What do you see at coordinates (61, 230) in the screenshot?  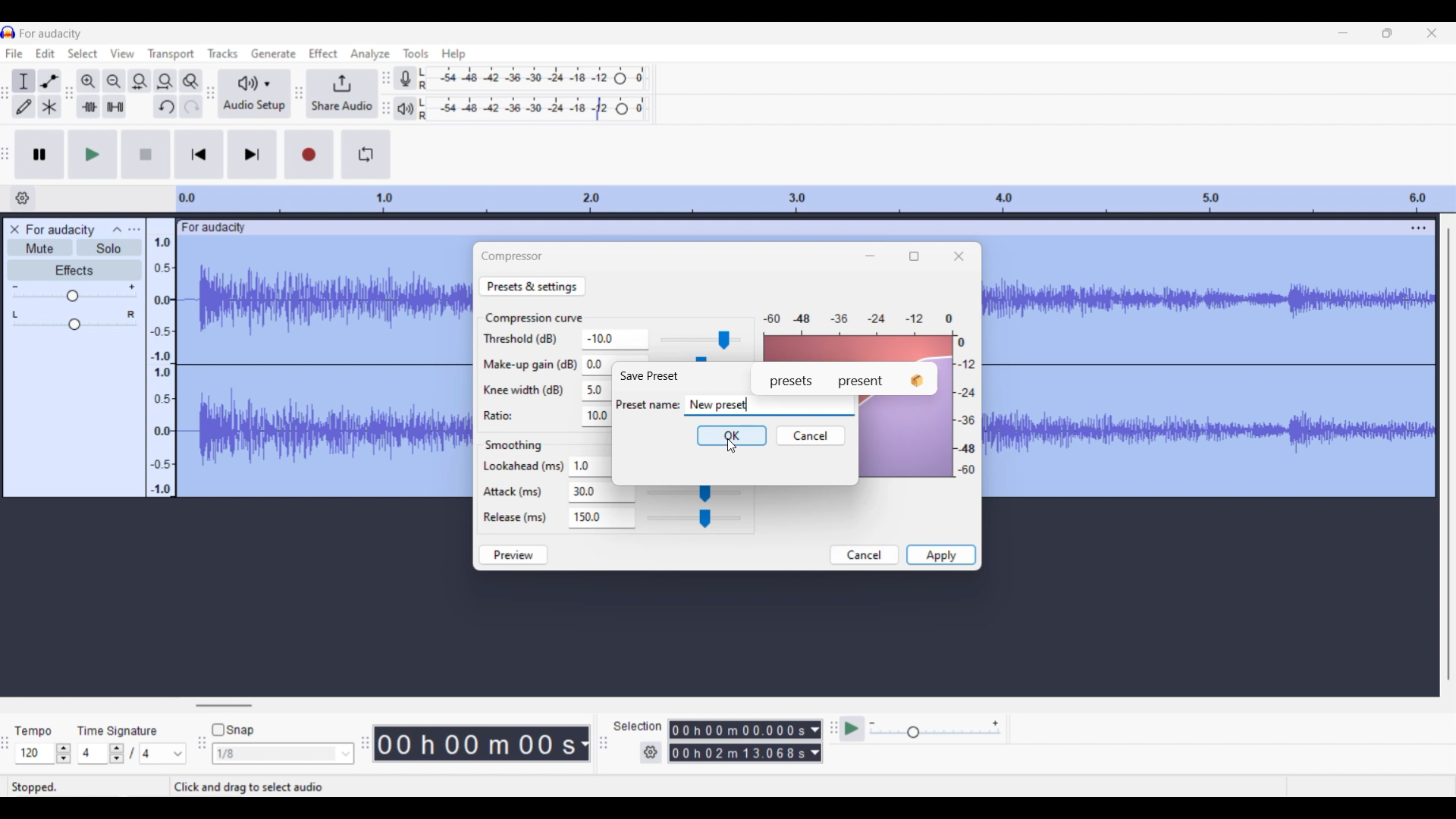 I see `For audacity` at bounding box center [61, 230].